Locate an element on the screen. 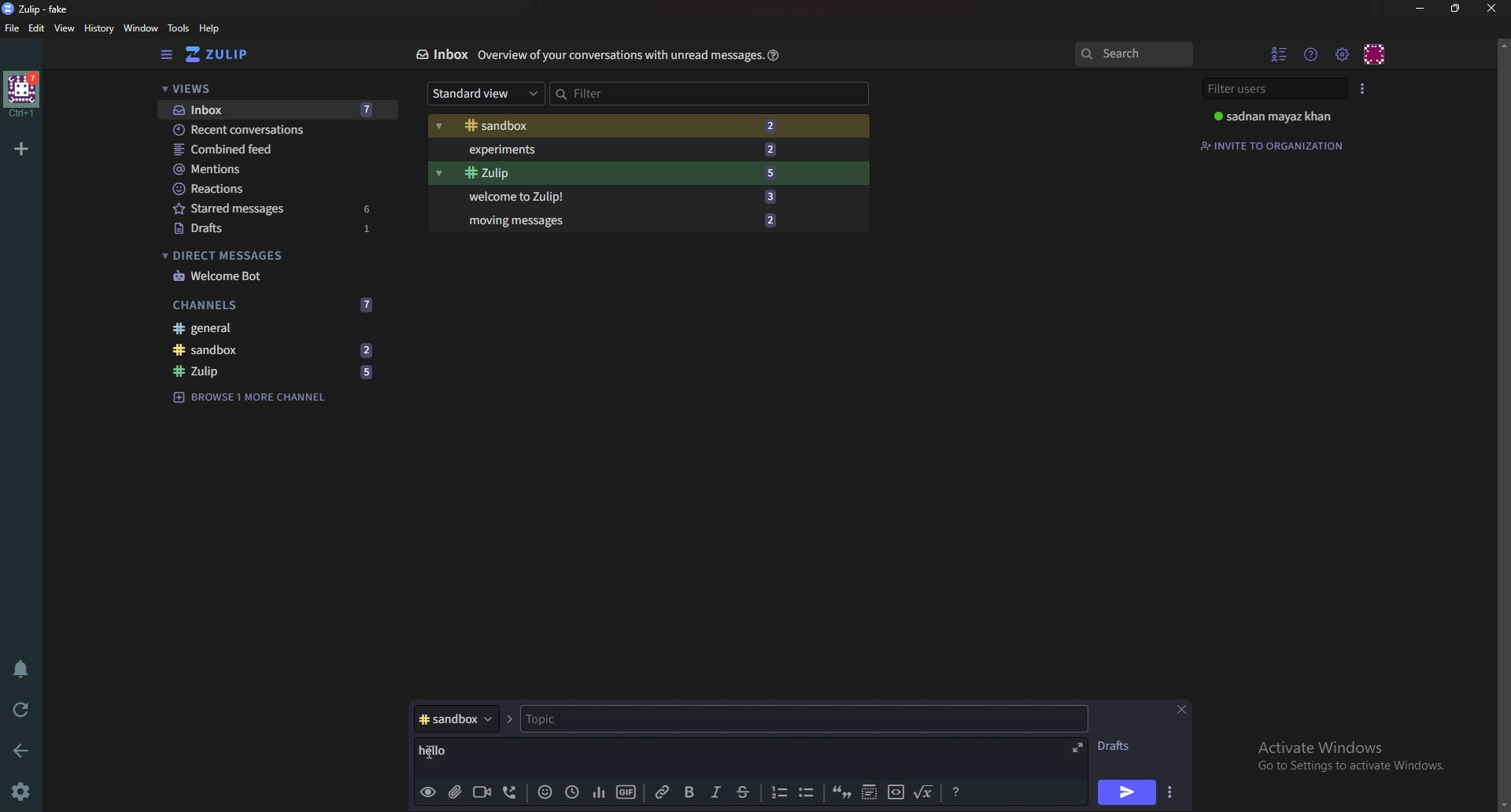 The height and width of the screenshot is (812, 1511). Filter users is located at coordinates (1273, 89).